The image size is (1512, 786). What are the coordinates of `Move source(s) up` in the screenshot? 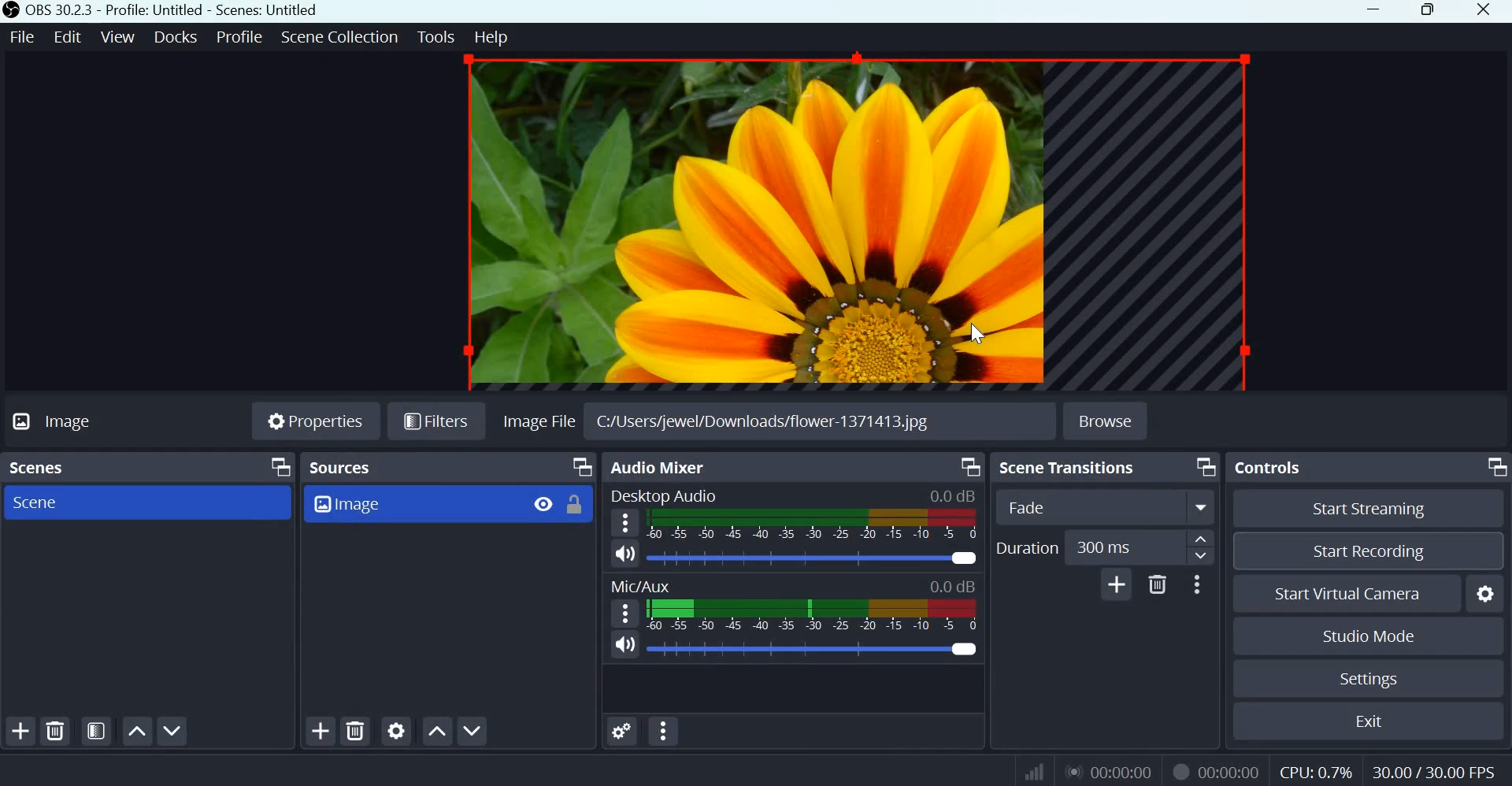 It's located at (435, 730).